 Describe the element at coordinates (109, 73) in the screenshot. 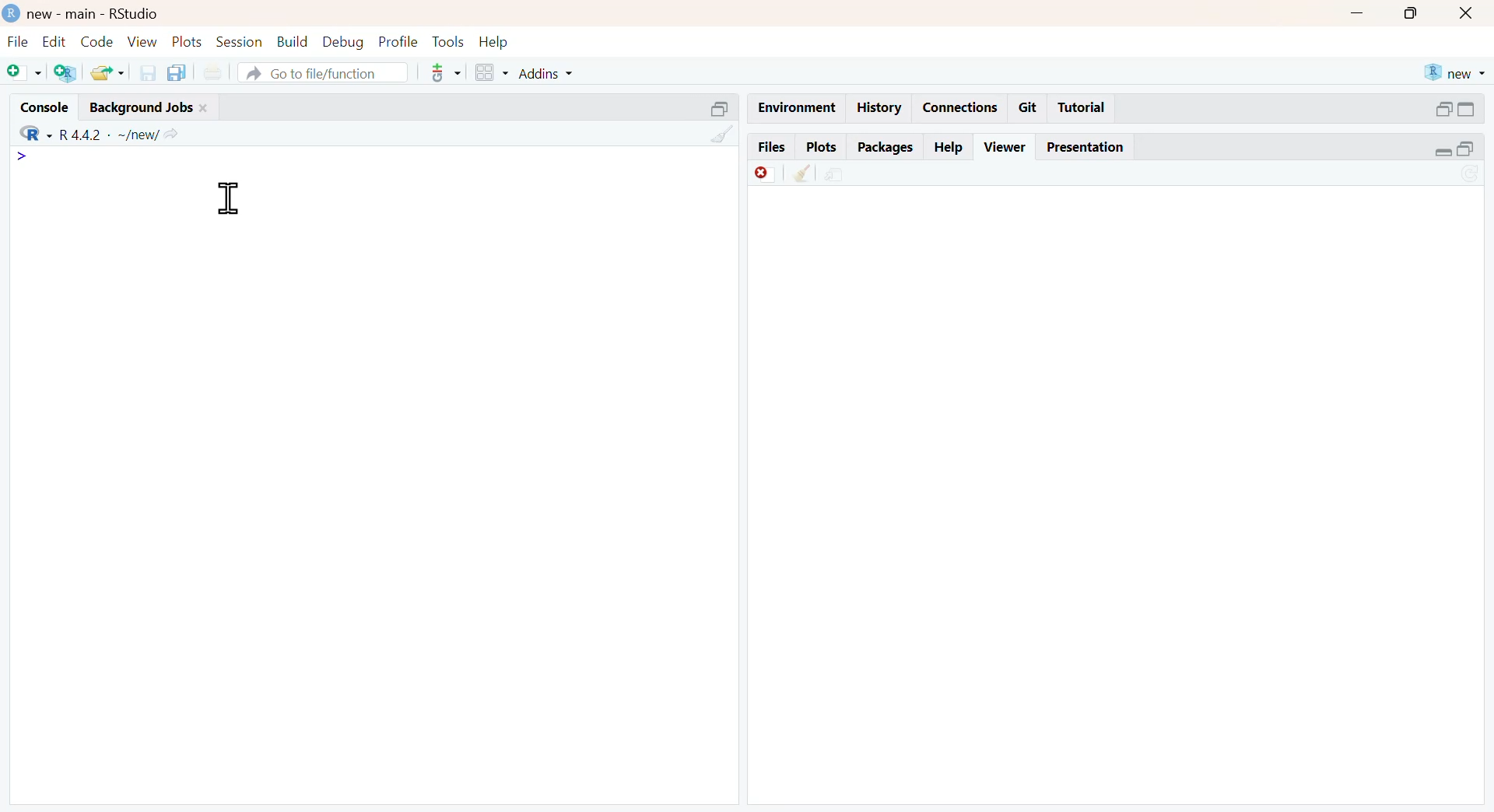

I see `share folder as` at that location.